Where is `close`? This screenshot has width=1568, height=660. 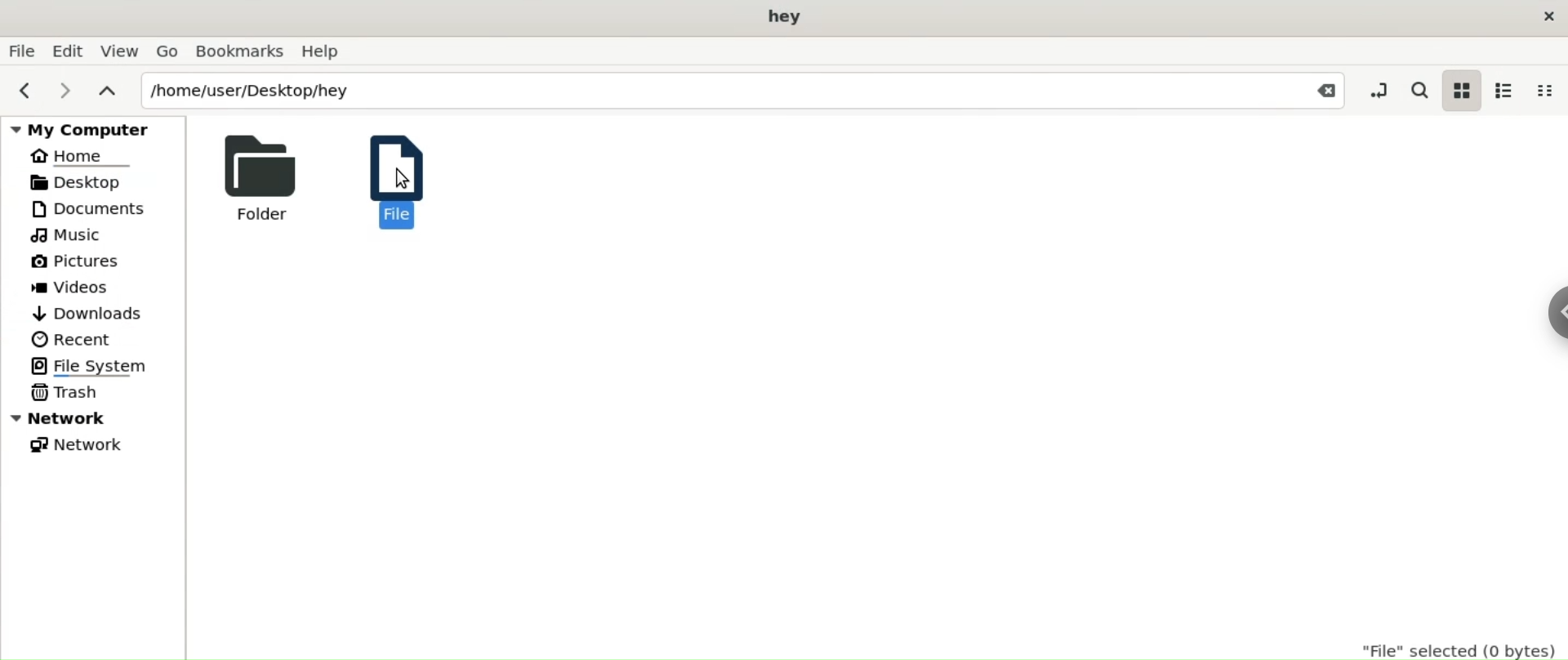 close is located at coordinates (1545, 16).